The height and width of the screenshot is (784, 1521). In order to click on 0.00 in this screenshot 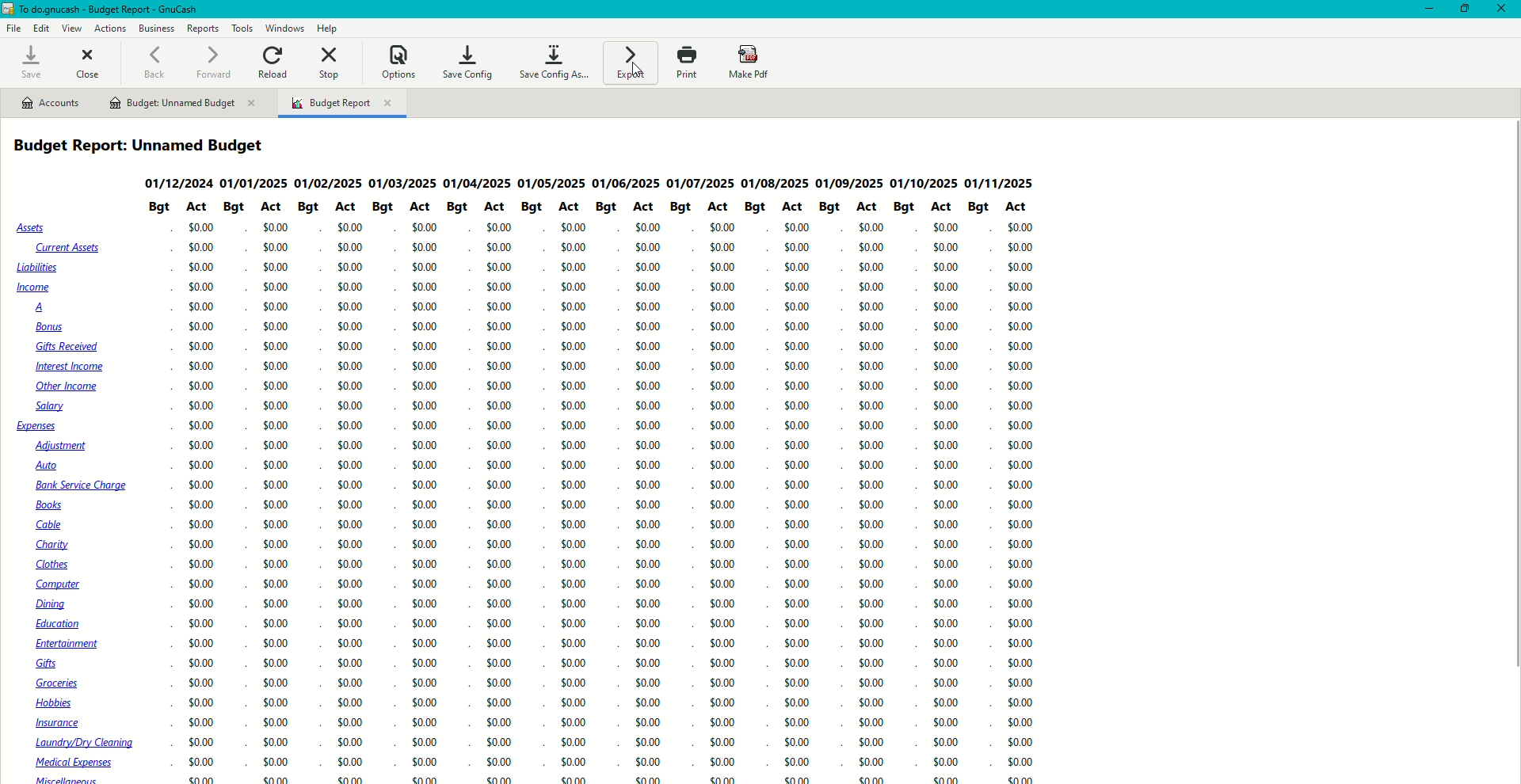, I will do `click(198, 288)`.